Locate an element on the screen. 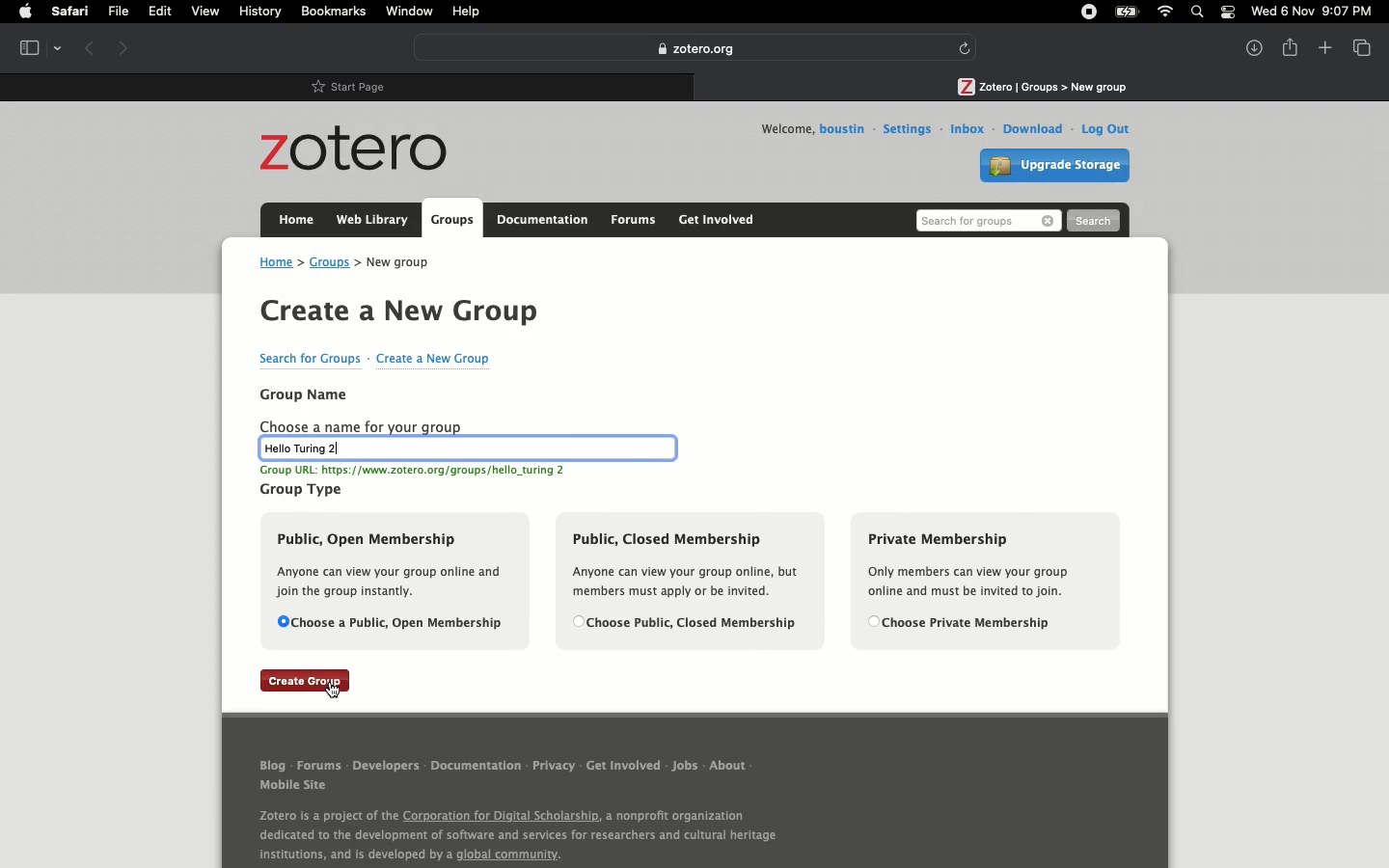  Apple logo is located at coordinates (24, 13).